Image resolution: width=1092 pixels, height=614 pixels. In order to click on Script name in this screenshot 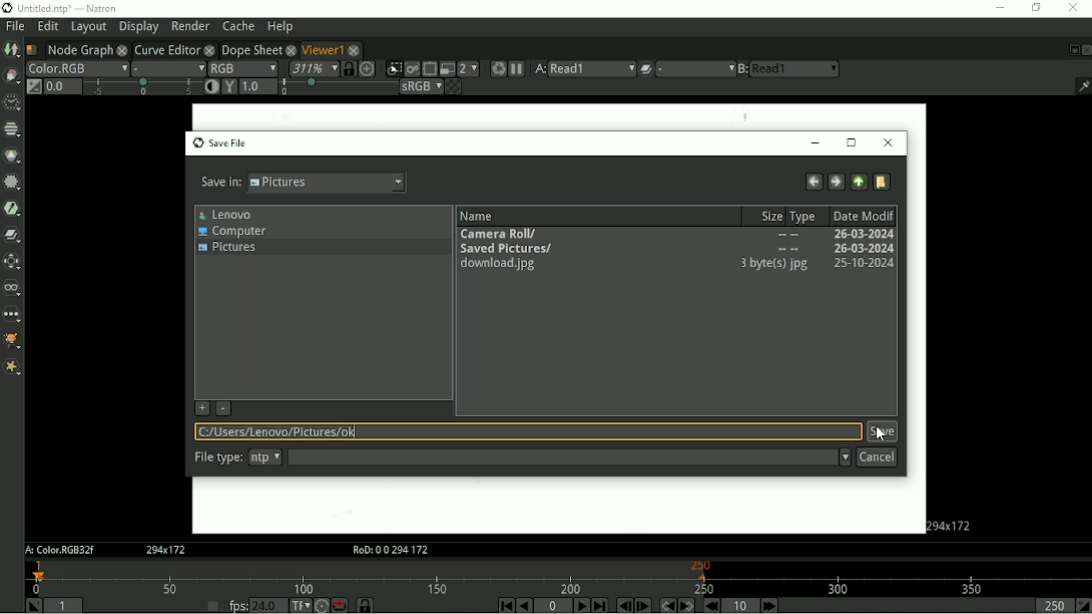, I will do `click(32, 50)`.